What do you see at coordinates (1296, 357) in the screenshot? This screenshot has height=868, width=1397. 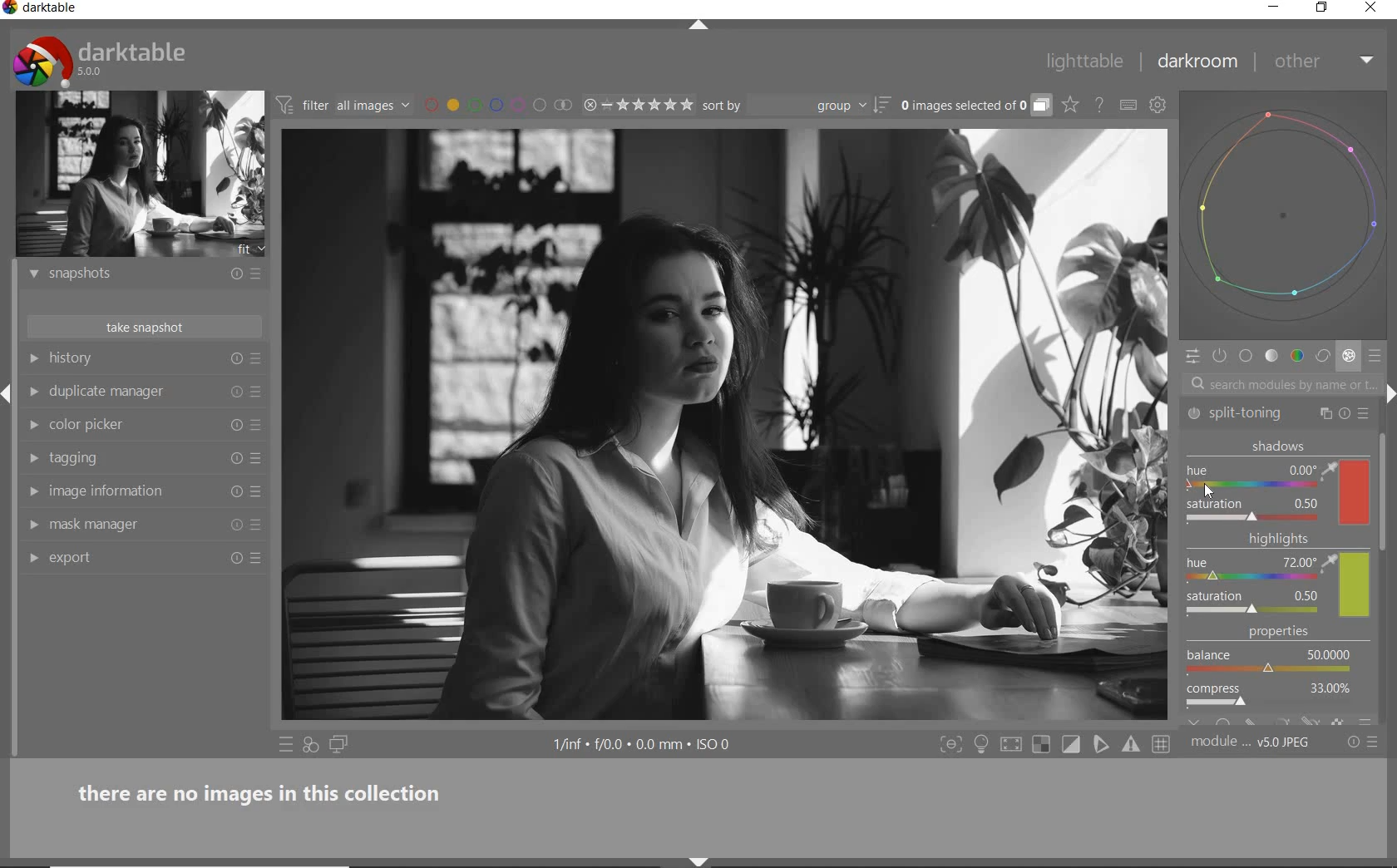 I see `color` at bounding box center [1296, 357].